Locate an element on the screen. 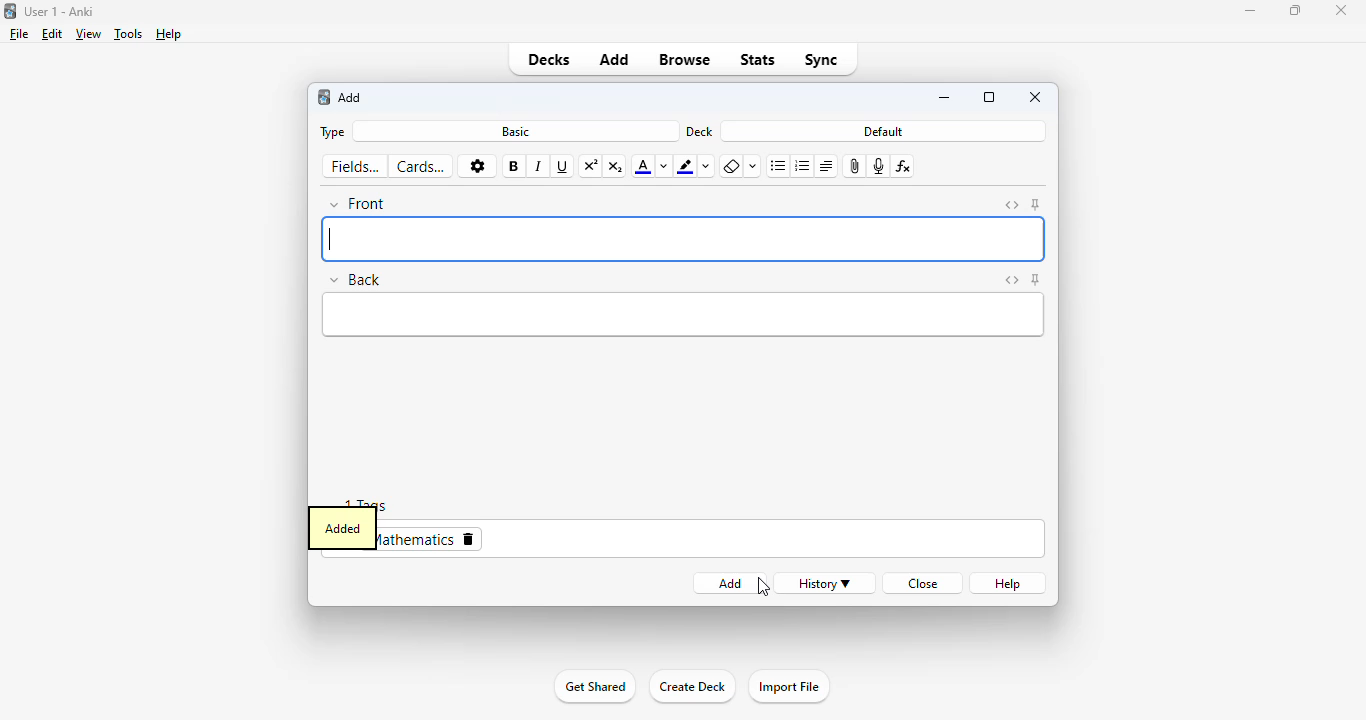 The width and height of the screenshot is (1366, 720). record audio is located at coordinates (879, 166).